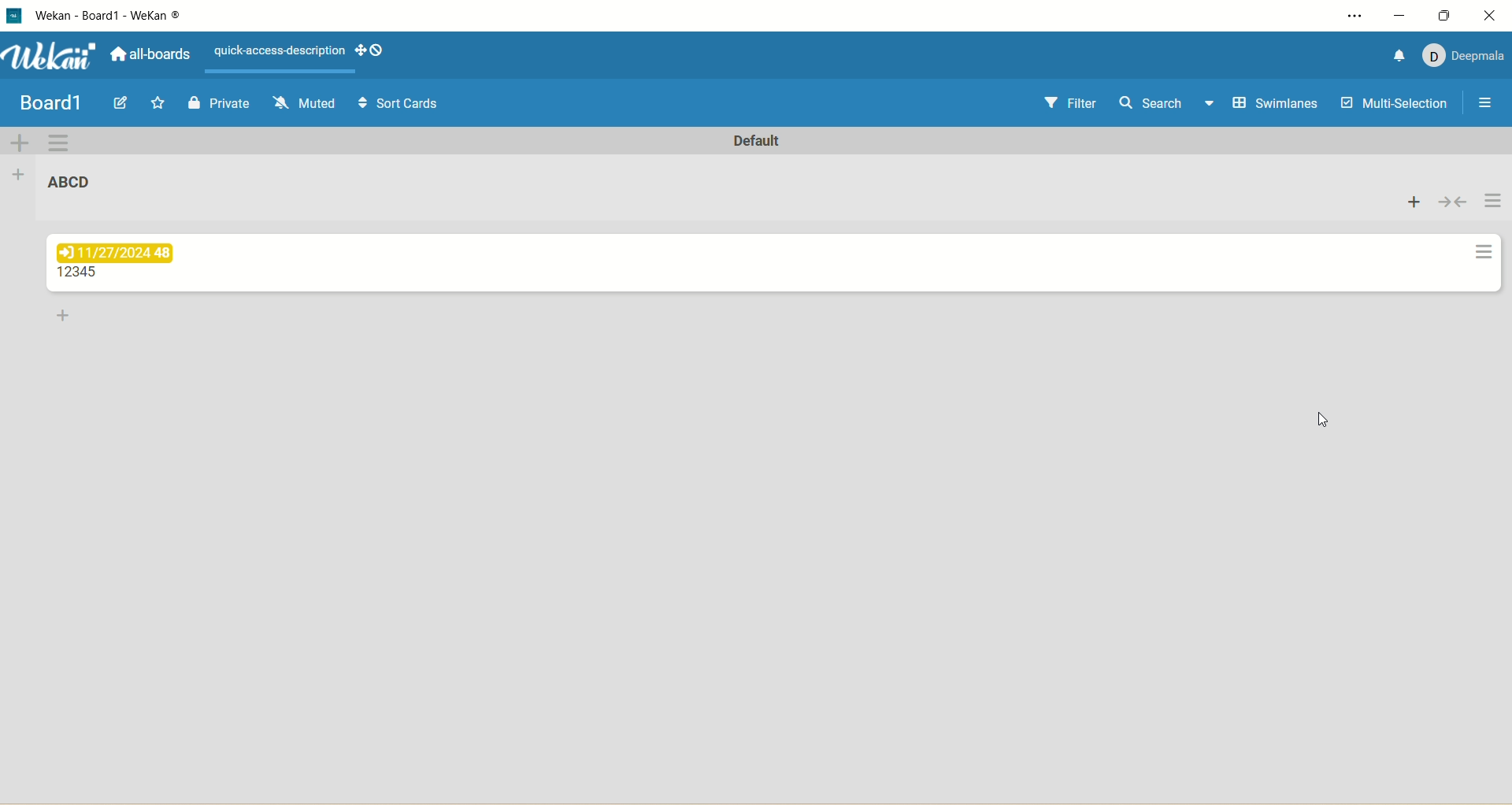 The width and height of the screenshot is (1512, 805). I want to click on default, so click(758, 141).